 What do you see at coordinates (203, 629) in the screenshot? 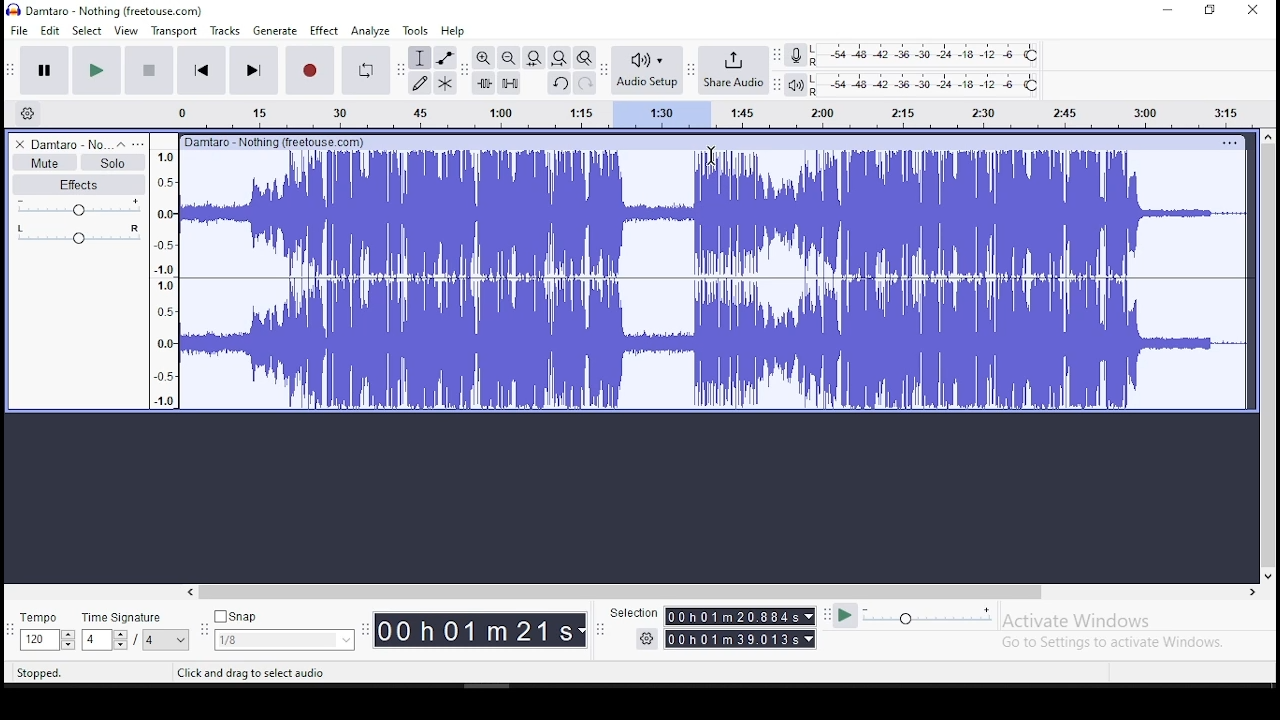
I see `` at bounding box center [203, 629].